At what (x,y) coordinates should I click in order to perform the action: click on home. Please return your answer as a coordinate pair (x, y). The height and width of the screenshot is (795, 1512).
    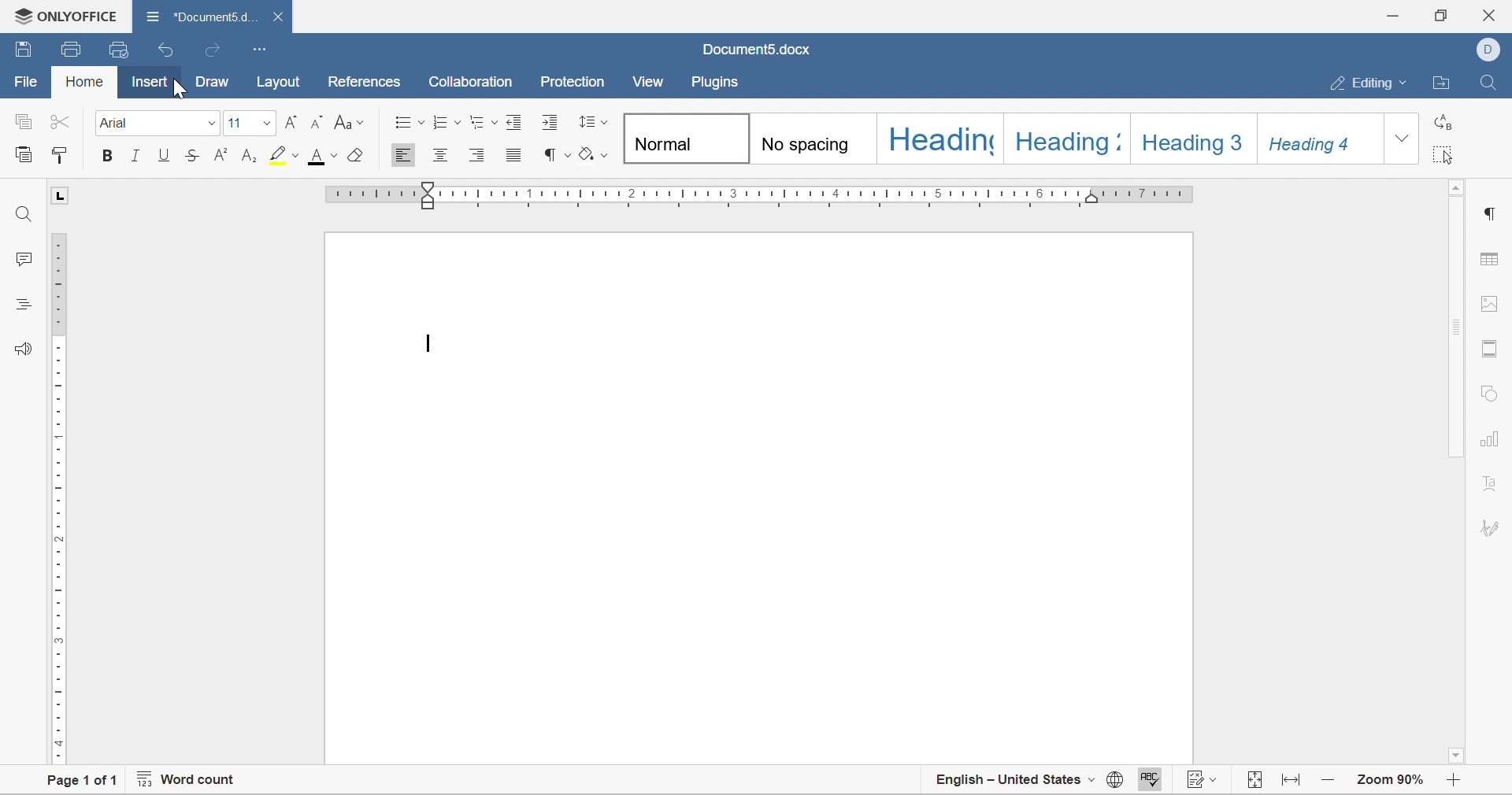
    Looking at the image, I should click on (83, 82).